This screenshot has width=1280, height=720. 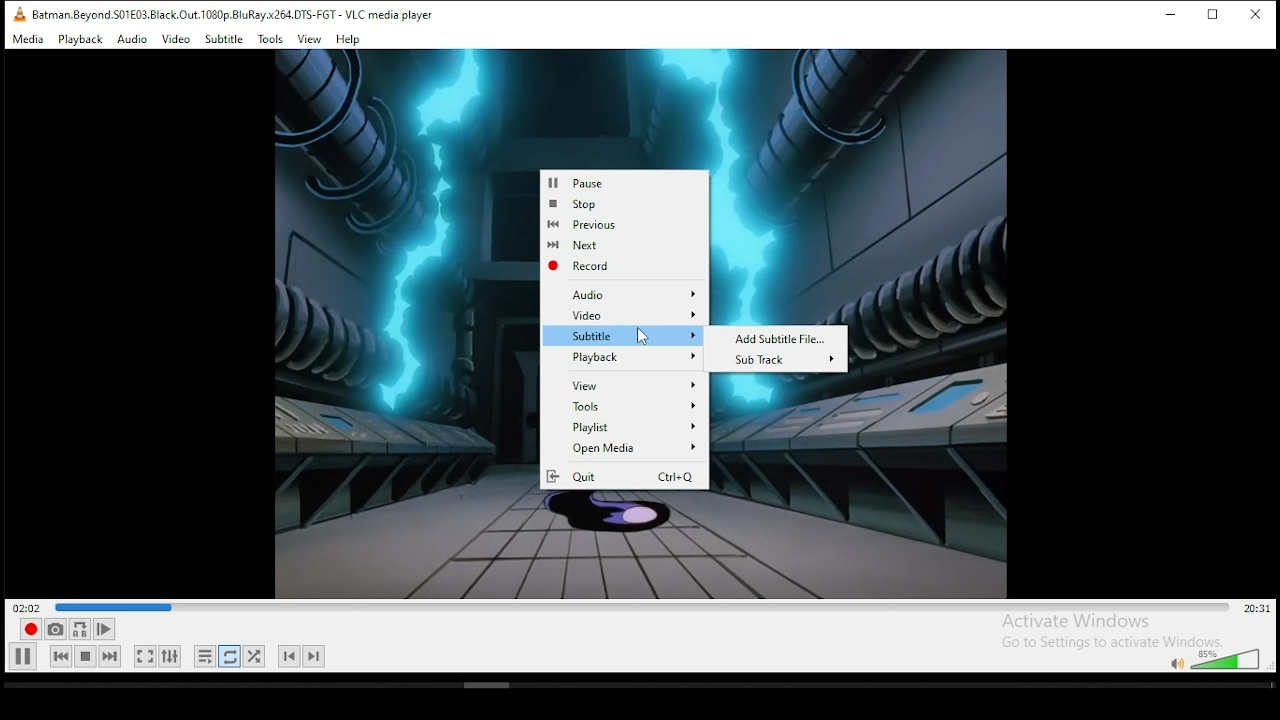 What do you see at coordinates (633, 294) in the screenshot?
I see `Audio options` at bounding box center [633, 294].